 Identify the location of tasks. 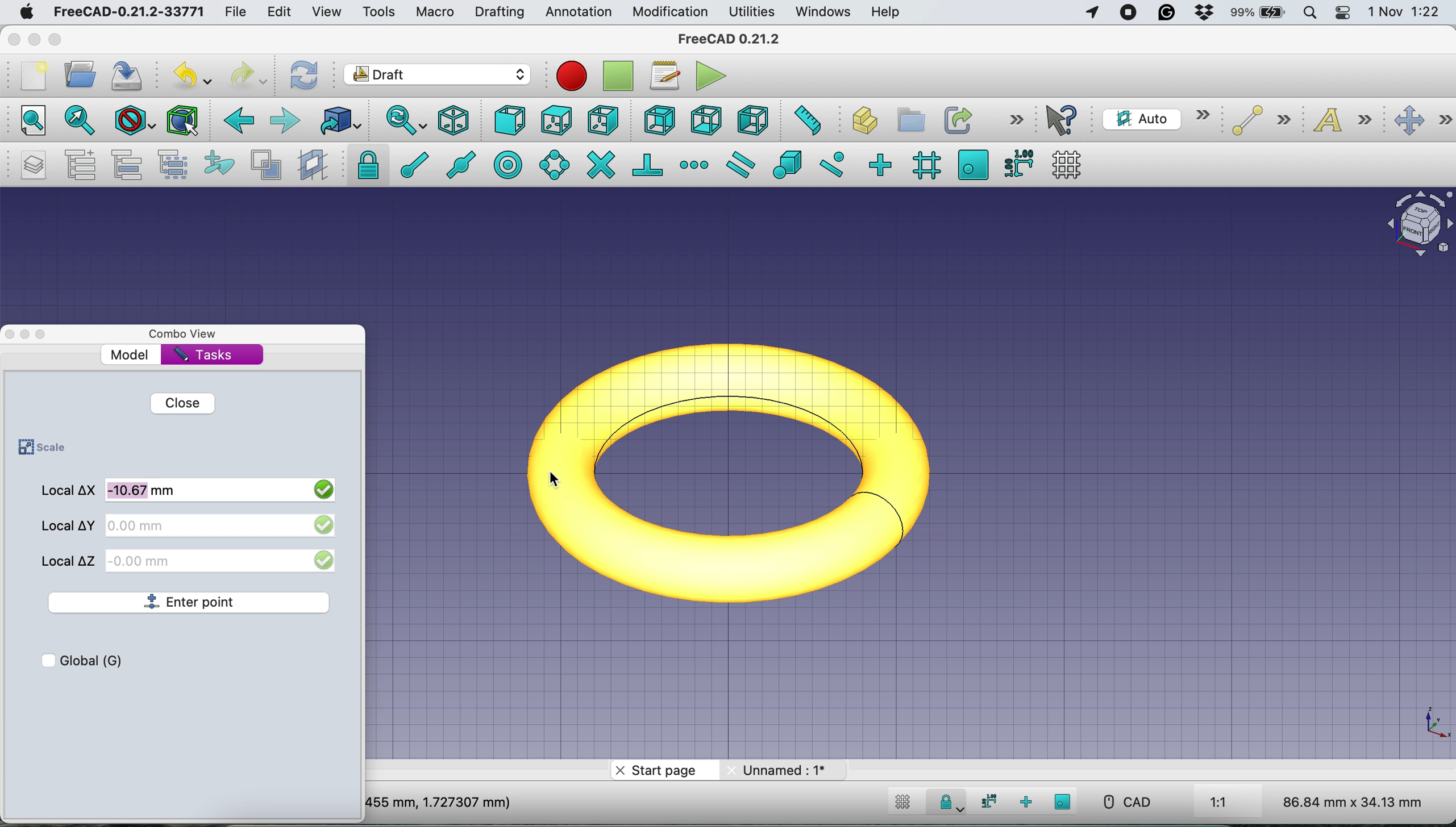
(206, 356).